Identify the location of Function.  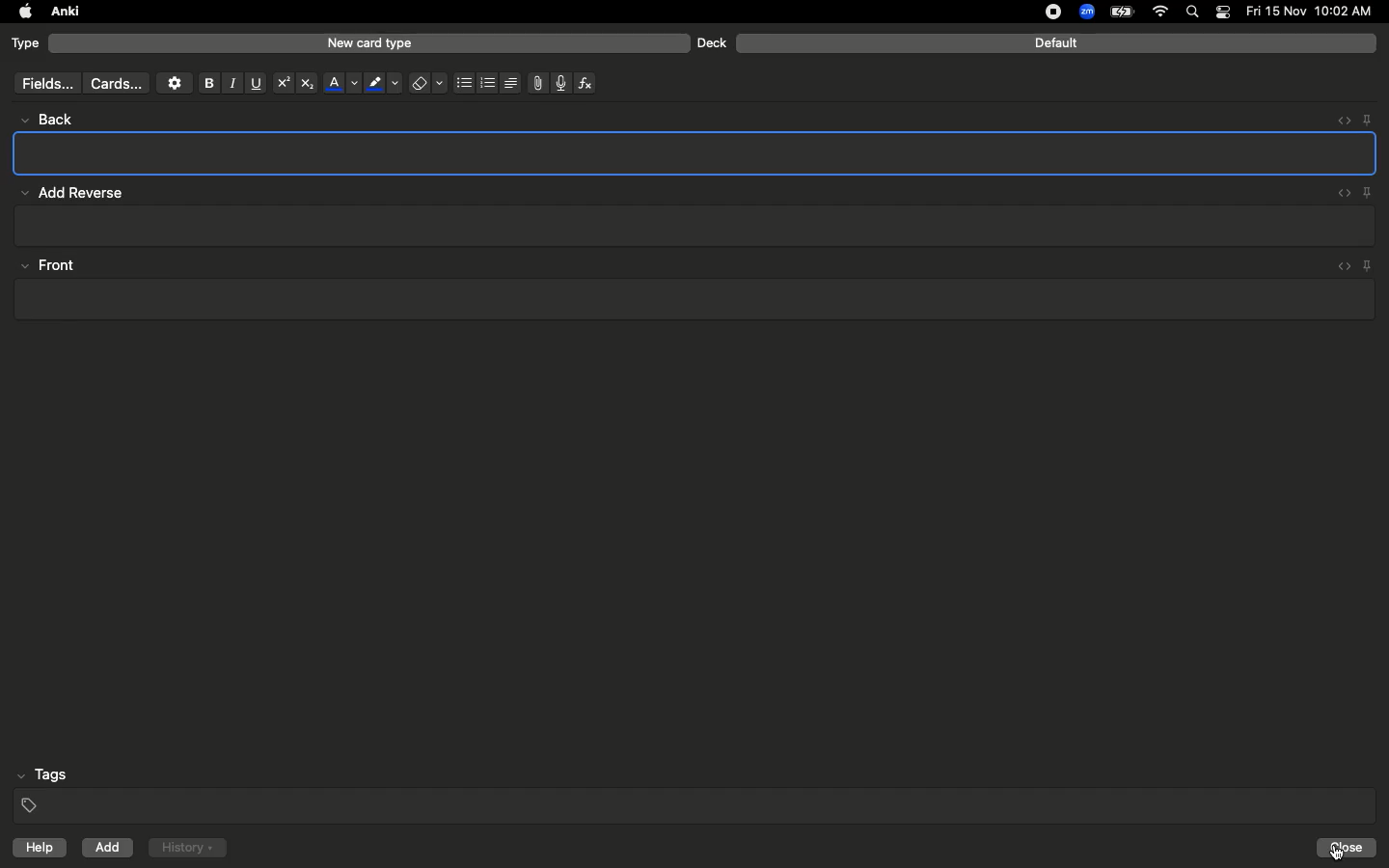
(586, 83).